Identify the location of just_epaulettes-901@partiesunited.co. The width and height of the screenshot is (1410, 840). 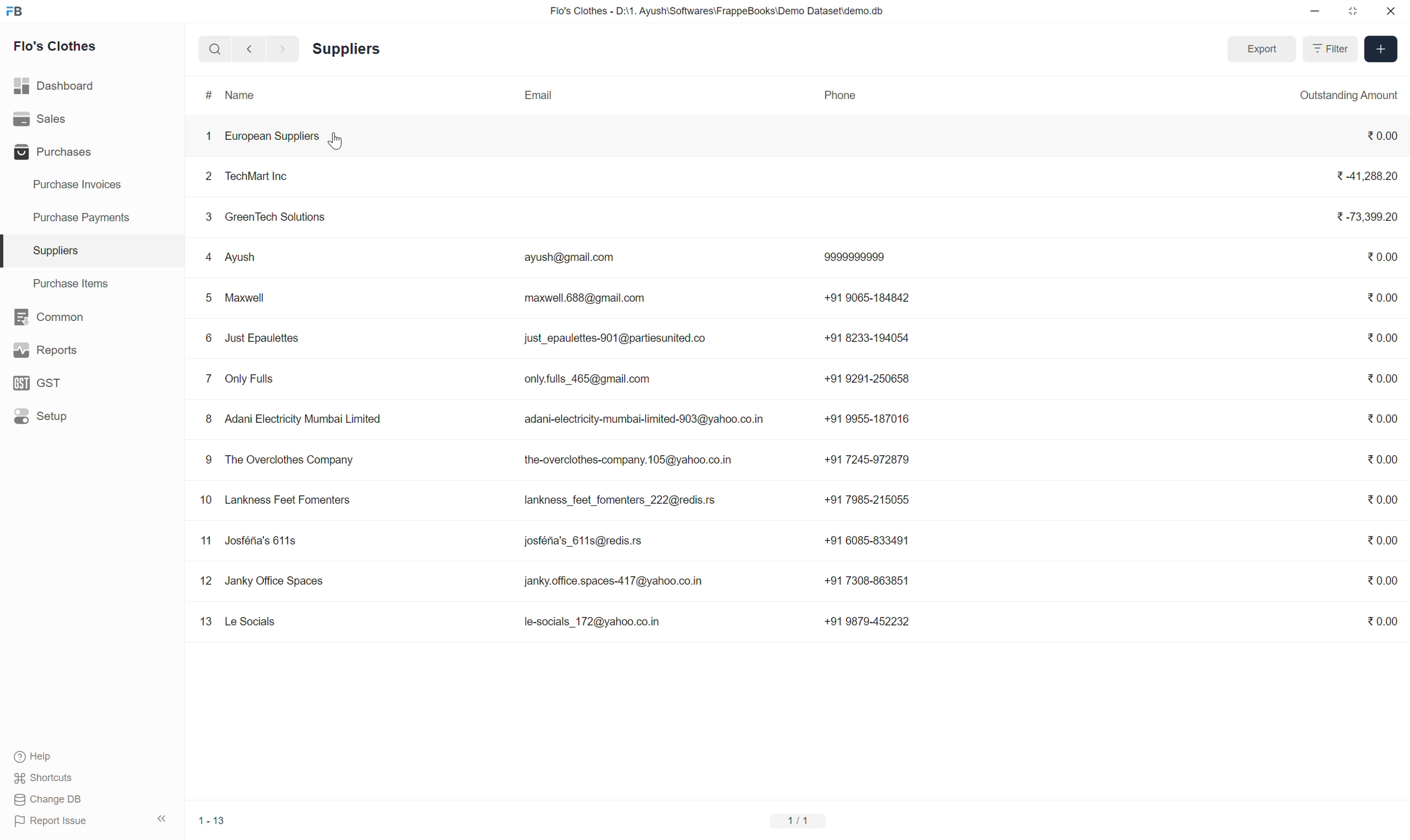
(613, 340).